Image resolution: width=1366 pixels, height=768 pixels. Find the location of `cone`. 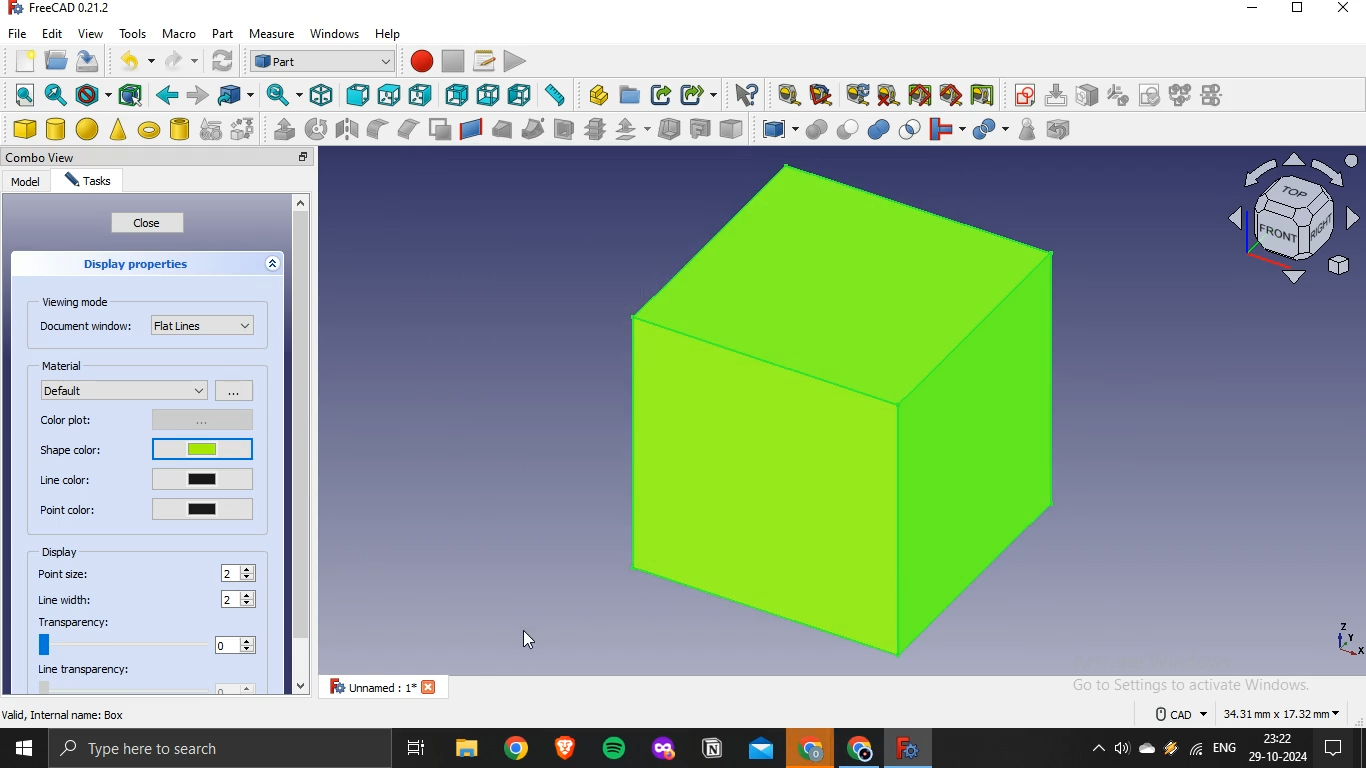

cone is located at coordinates (118, 129).